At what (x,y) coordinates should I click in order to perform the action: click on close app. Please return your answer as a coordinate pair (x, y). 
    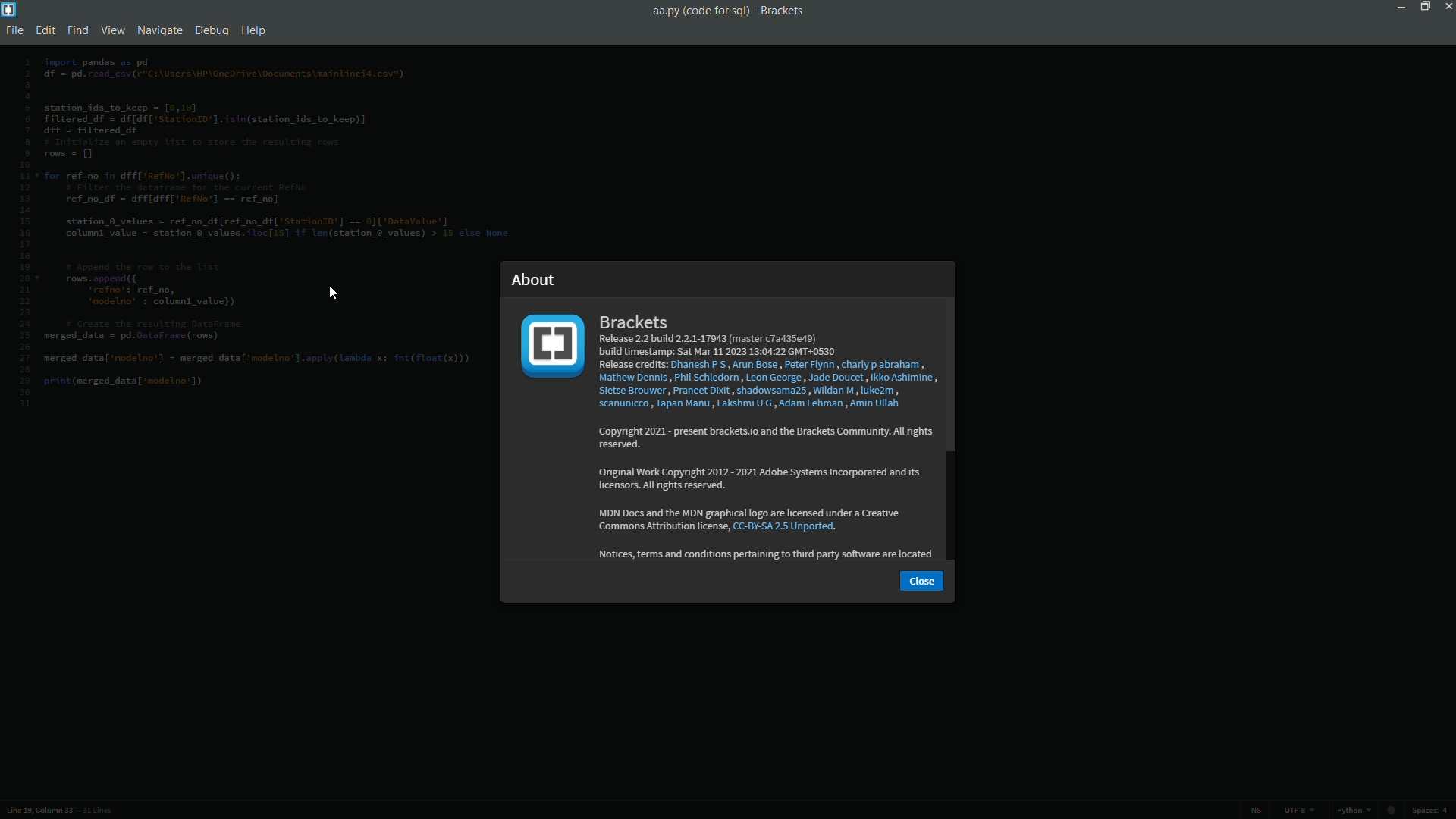
    Looking at the image, I should click on (1447, 8).